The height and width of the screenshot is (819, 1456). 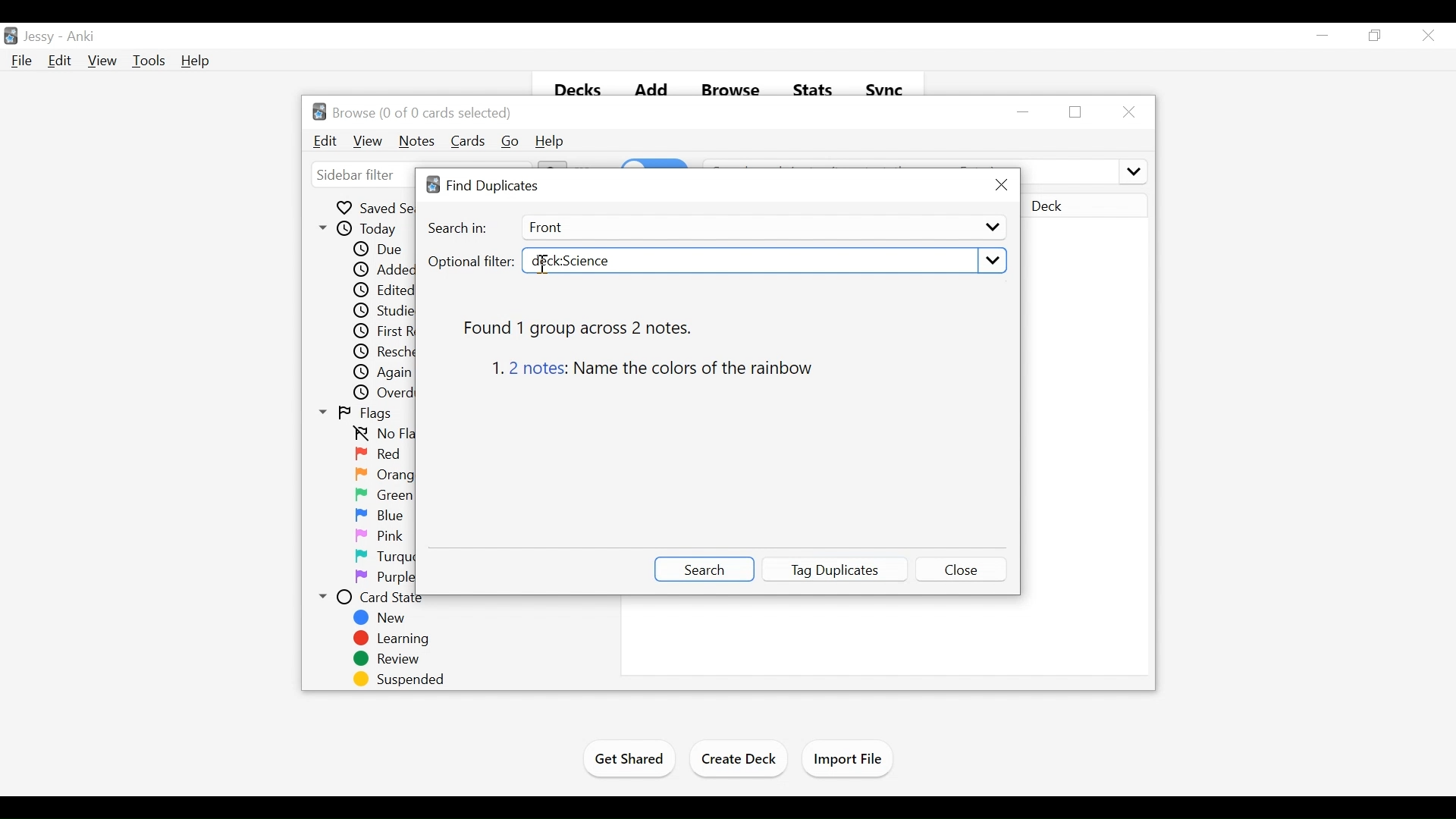 I want to click on Find Duplicates, so click(x=485, y=186).